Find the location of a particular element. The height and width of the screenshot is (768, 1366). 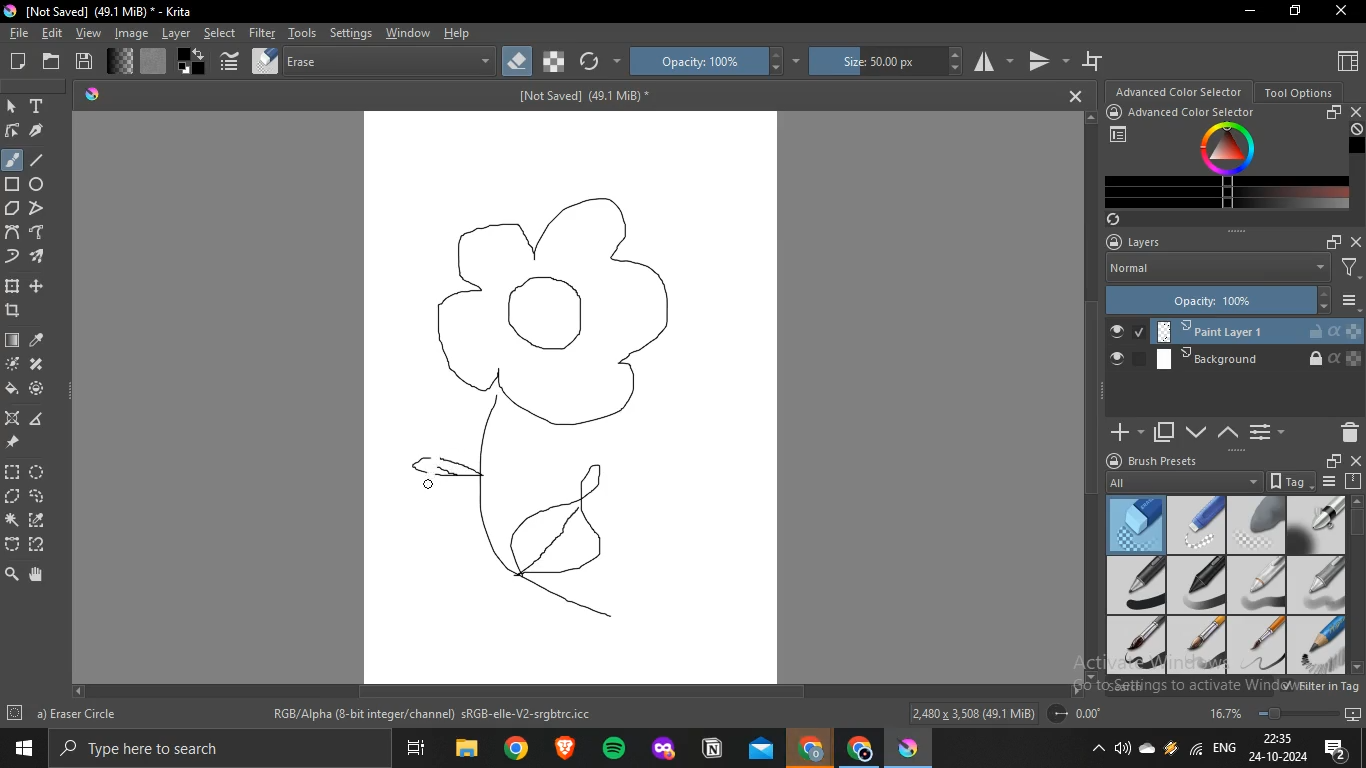

crop image is located at coordinates (13, 309).